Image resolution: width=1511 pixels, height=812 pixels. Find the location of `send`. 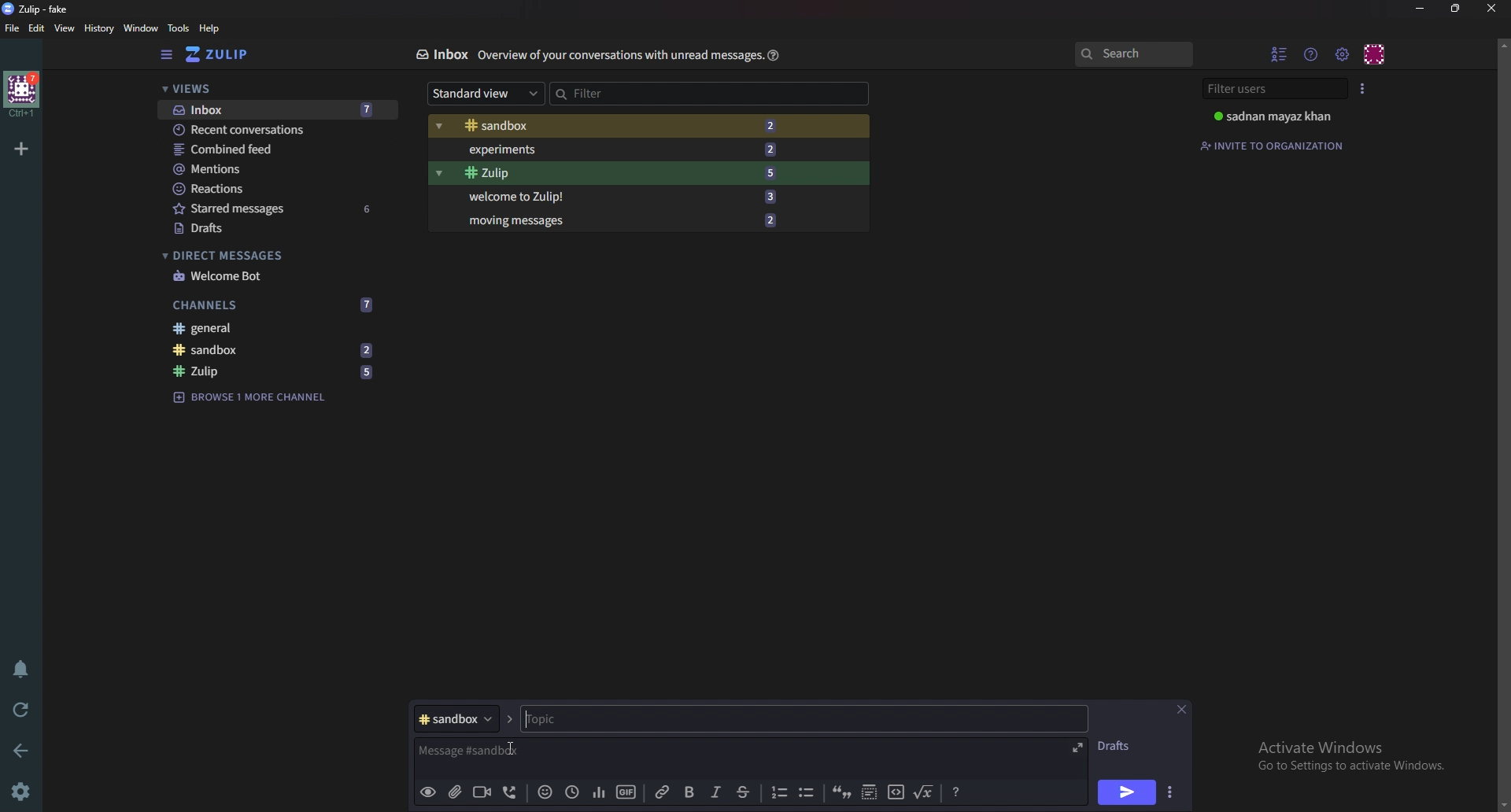

send is located at coordinates (1125, 794).